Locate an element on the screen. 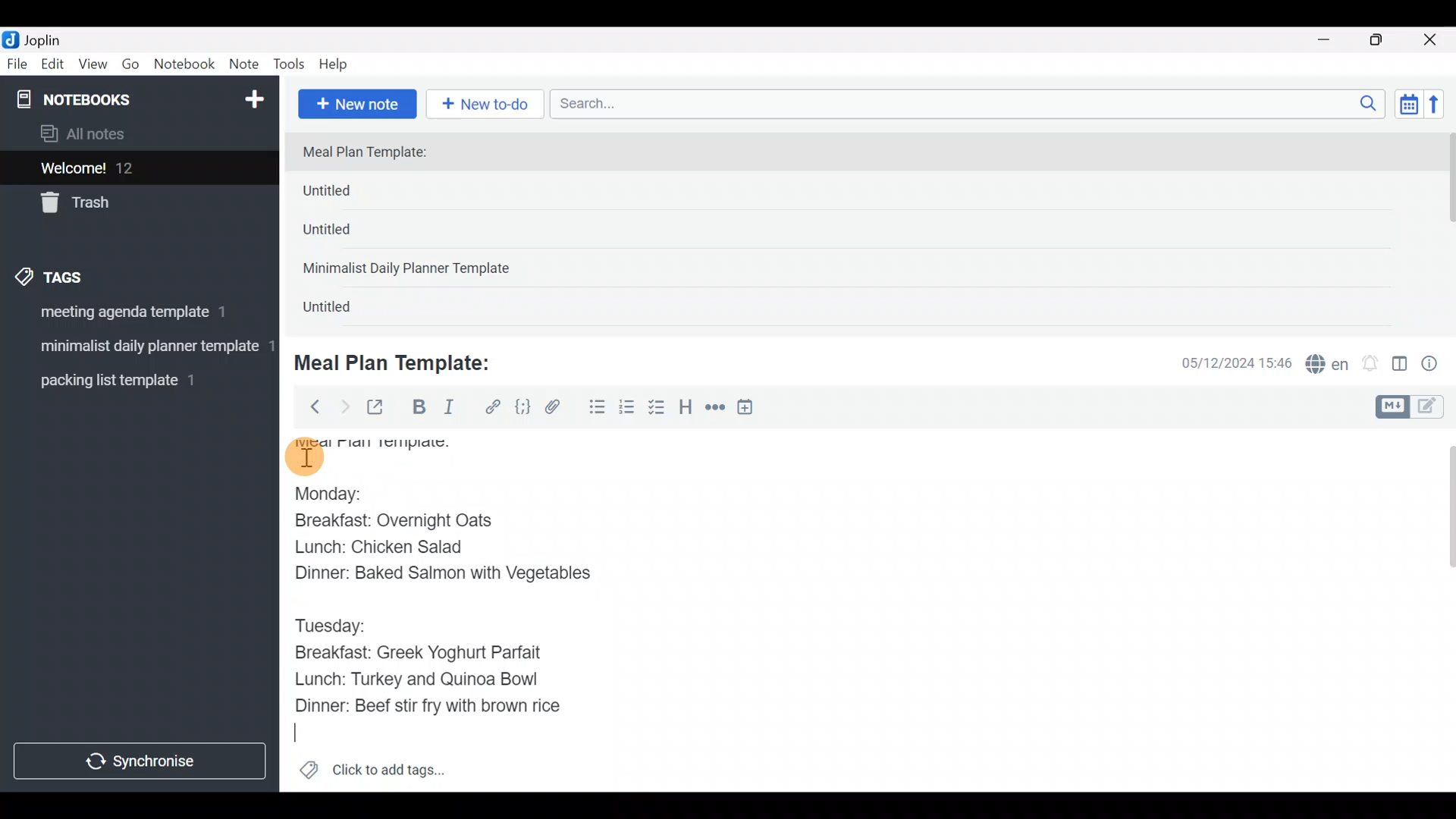  Dinner: Beef stir fry with brown rice is located at coordinates (428, 709).